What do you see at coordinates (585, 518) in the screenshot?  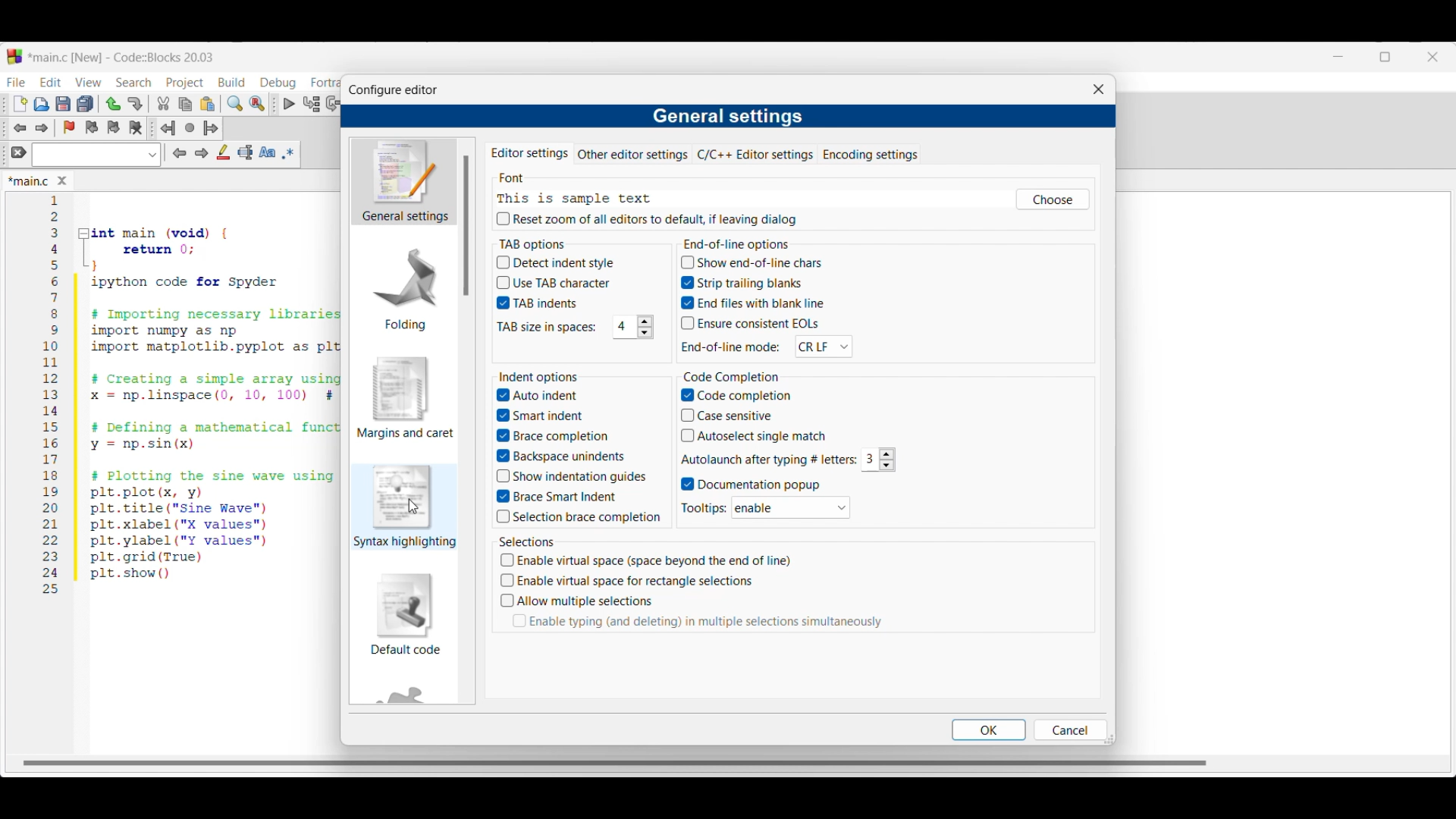 I see `Selection brace completion` at bounding box center [585, 518].